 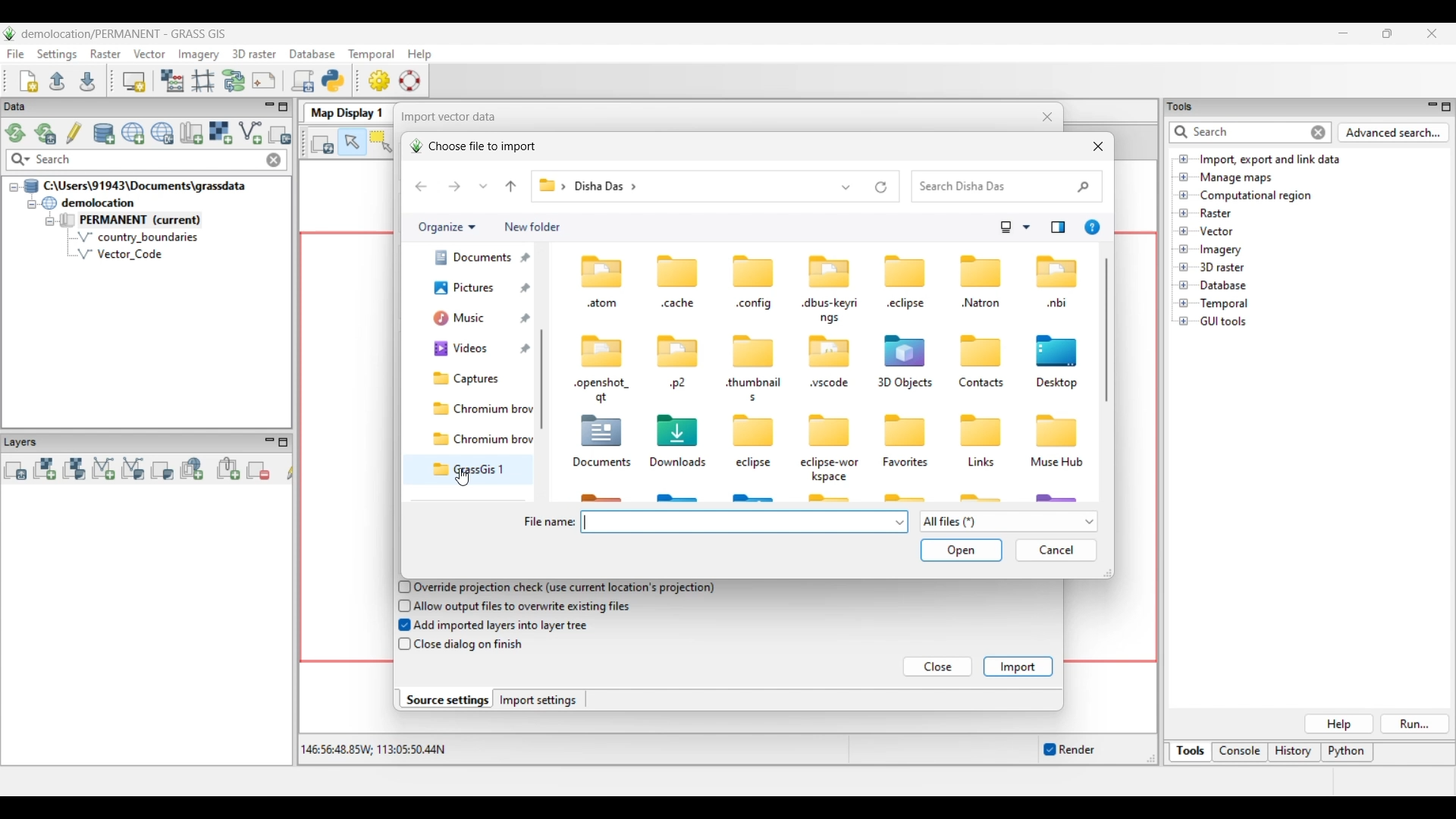 What do you see at coordinates (133, 469) in the screenshot?
I see `Add various vector map layers` at bounding box center [133, 469].